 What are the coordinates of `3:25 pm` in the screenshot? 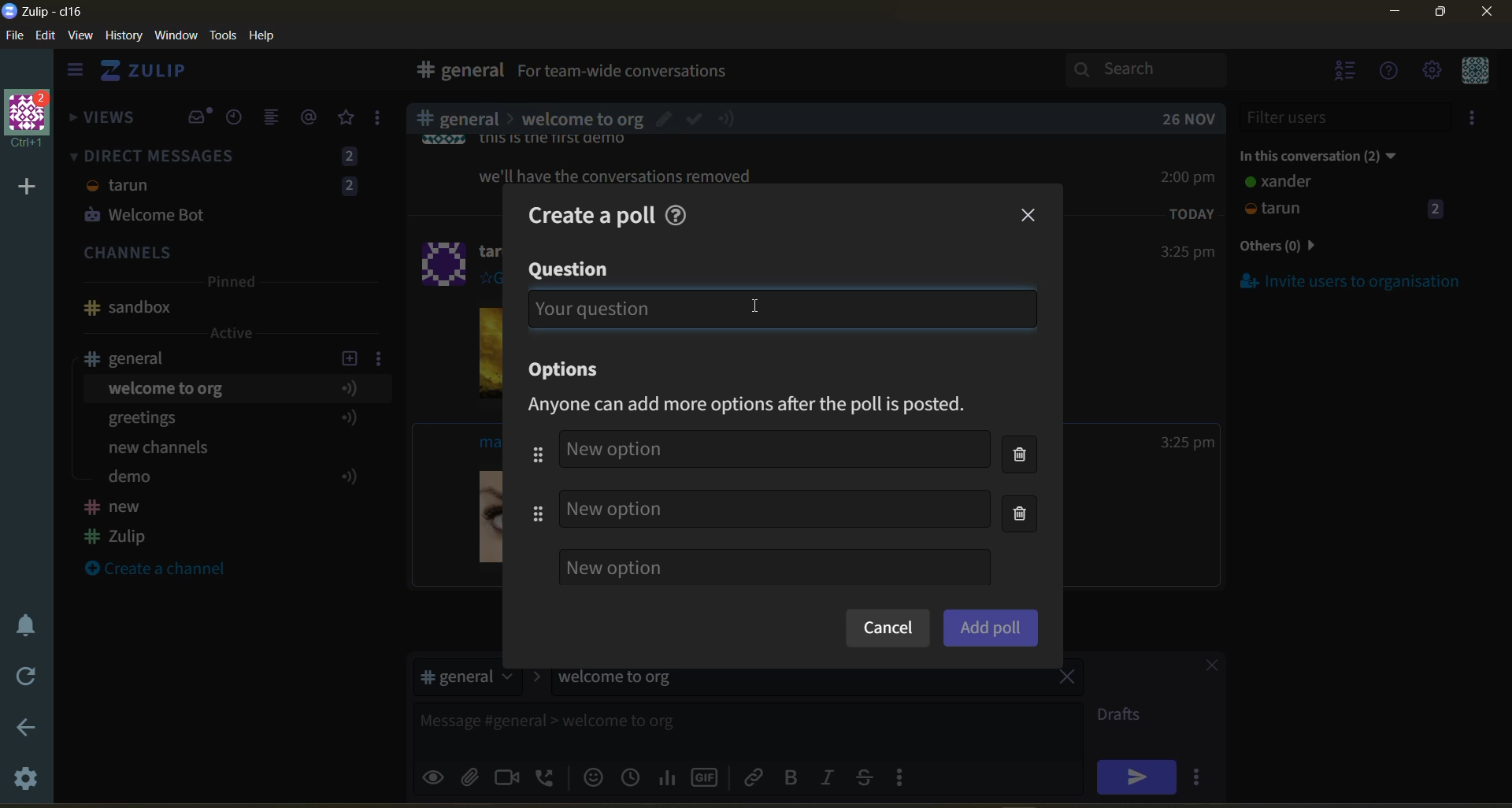 It's located at (1188, 443).